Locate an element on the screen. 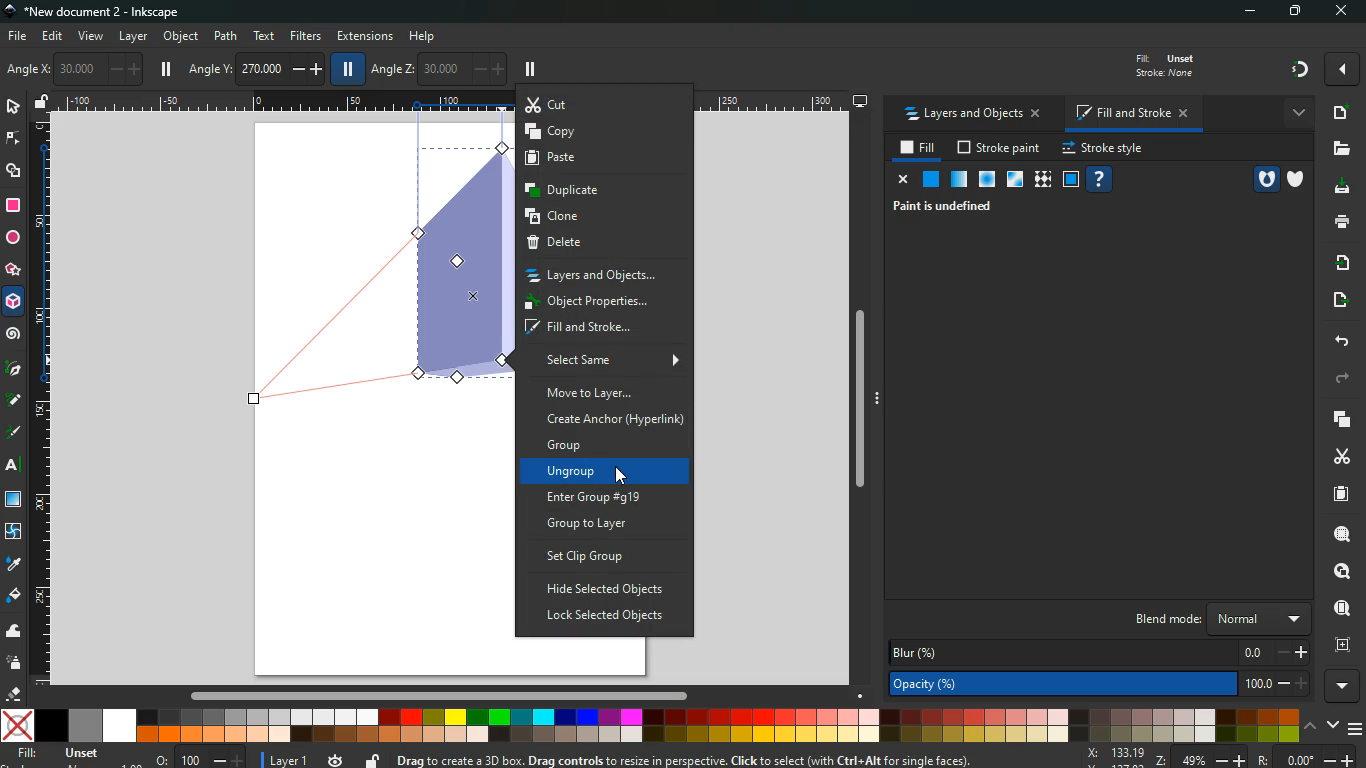 The image size is (1366, 768). angle x is located at coordinates (82, 69).